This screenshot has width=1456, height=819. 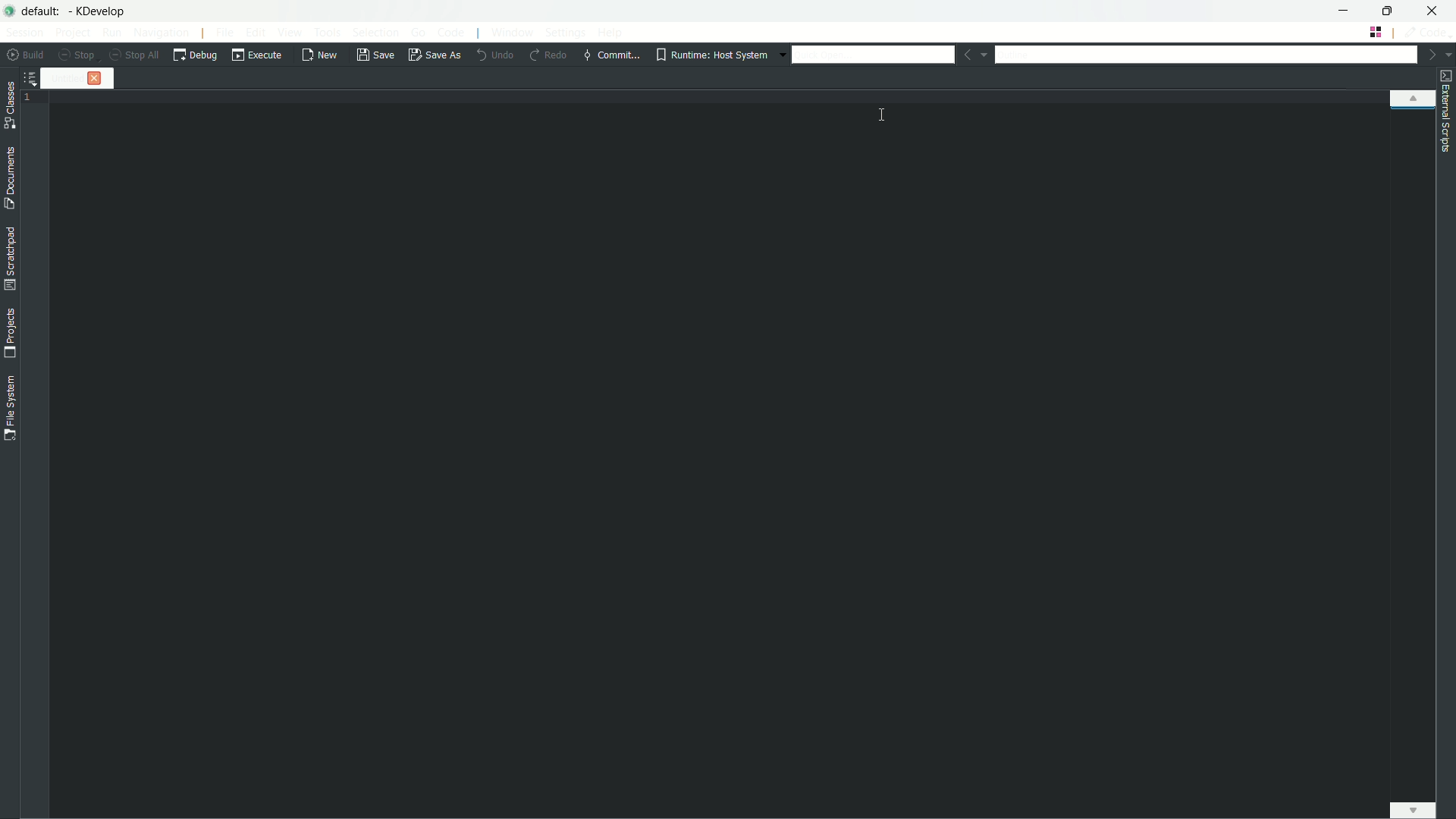 I want to click on execute, so click(x=258, y=55).